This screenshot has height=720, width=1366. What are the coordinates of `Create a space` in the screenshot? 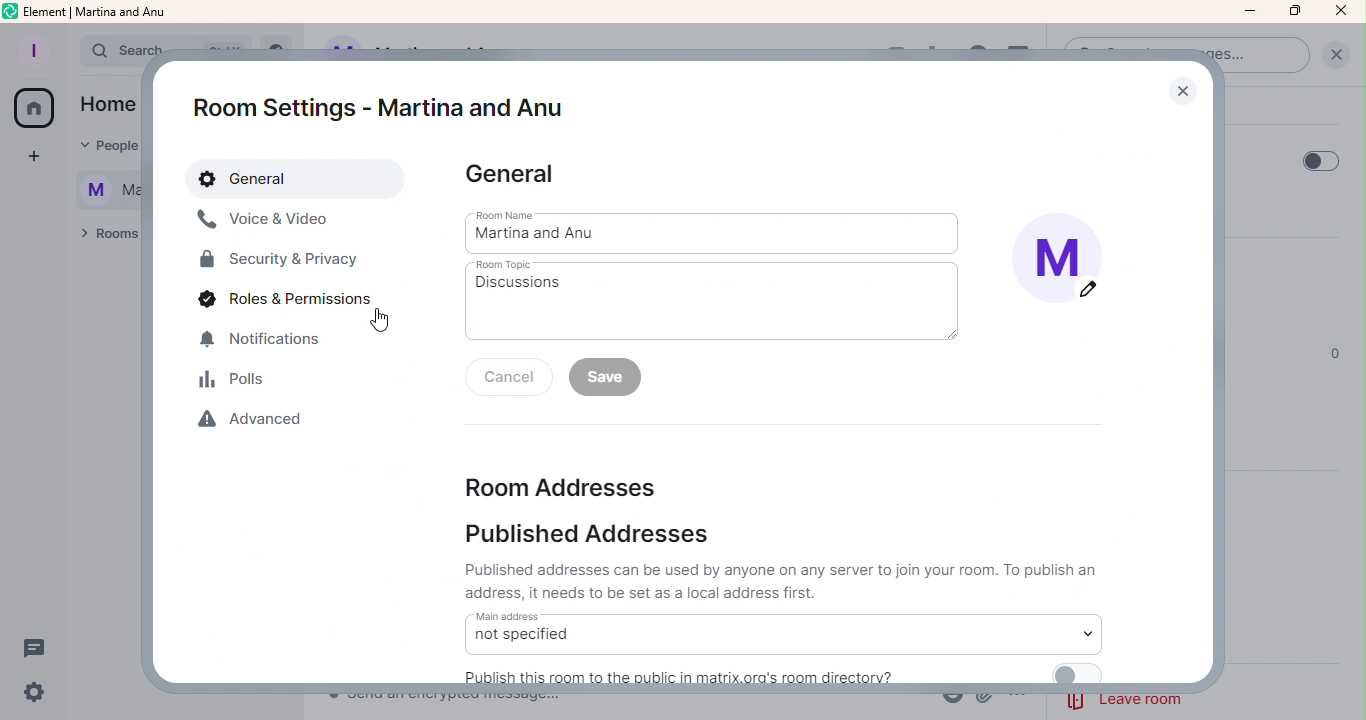 It's located at (29, 157).